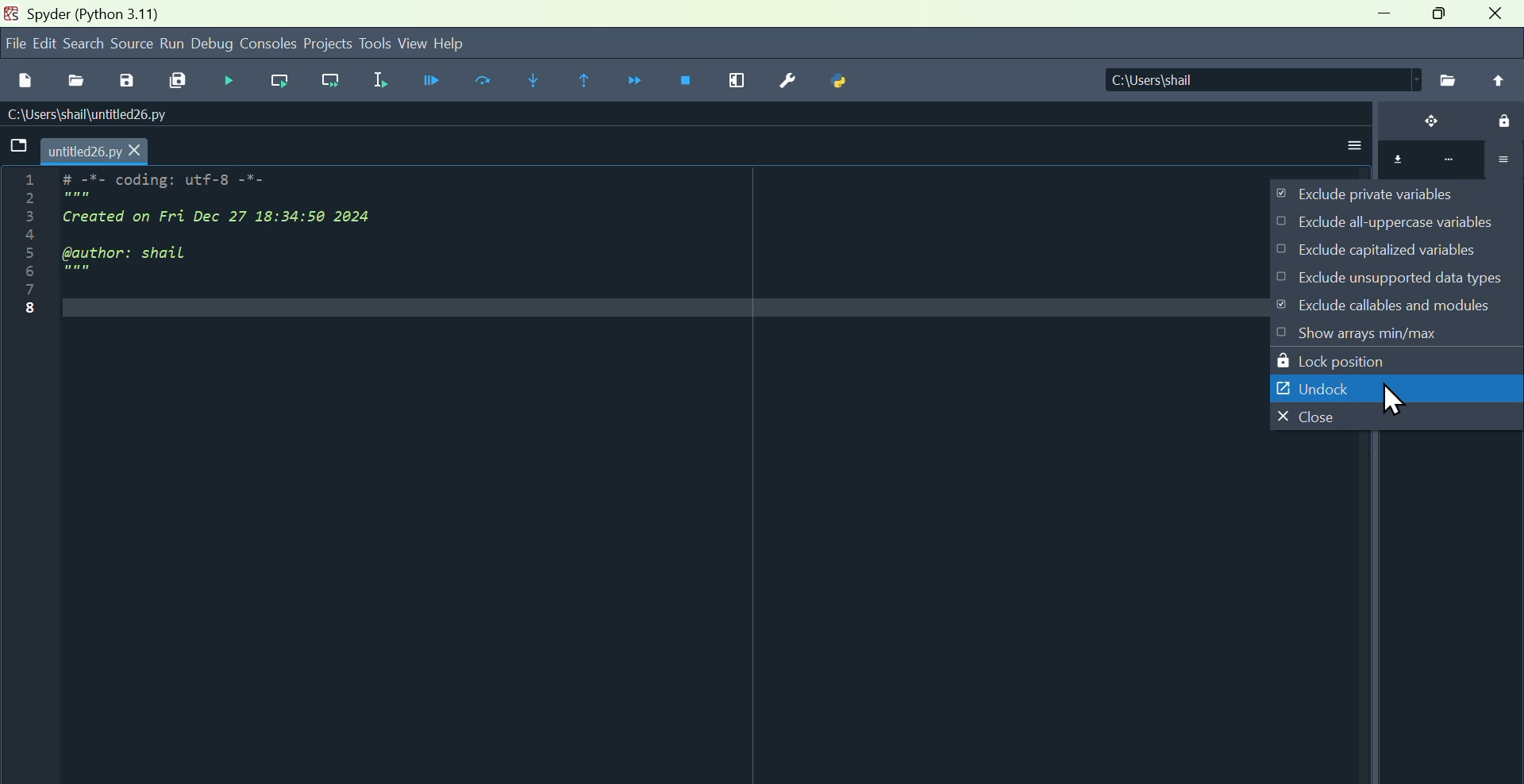  Describe the element at coordinates (1499, 80) in the screenshot. I see `upload` at that location.